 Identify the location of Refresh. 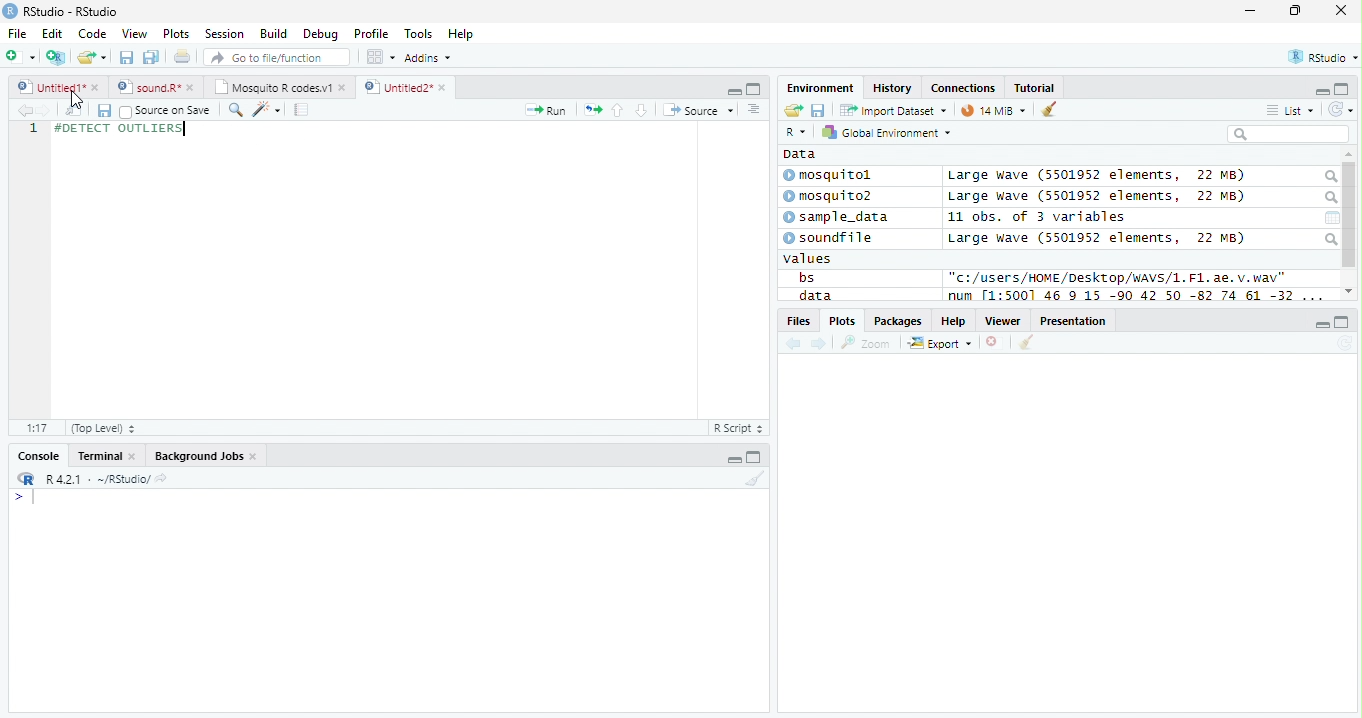
(1341, 110).